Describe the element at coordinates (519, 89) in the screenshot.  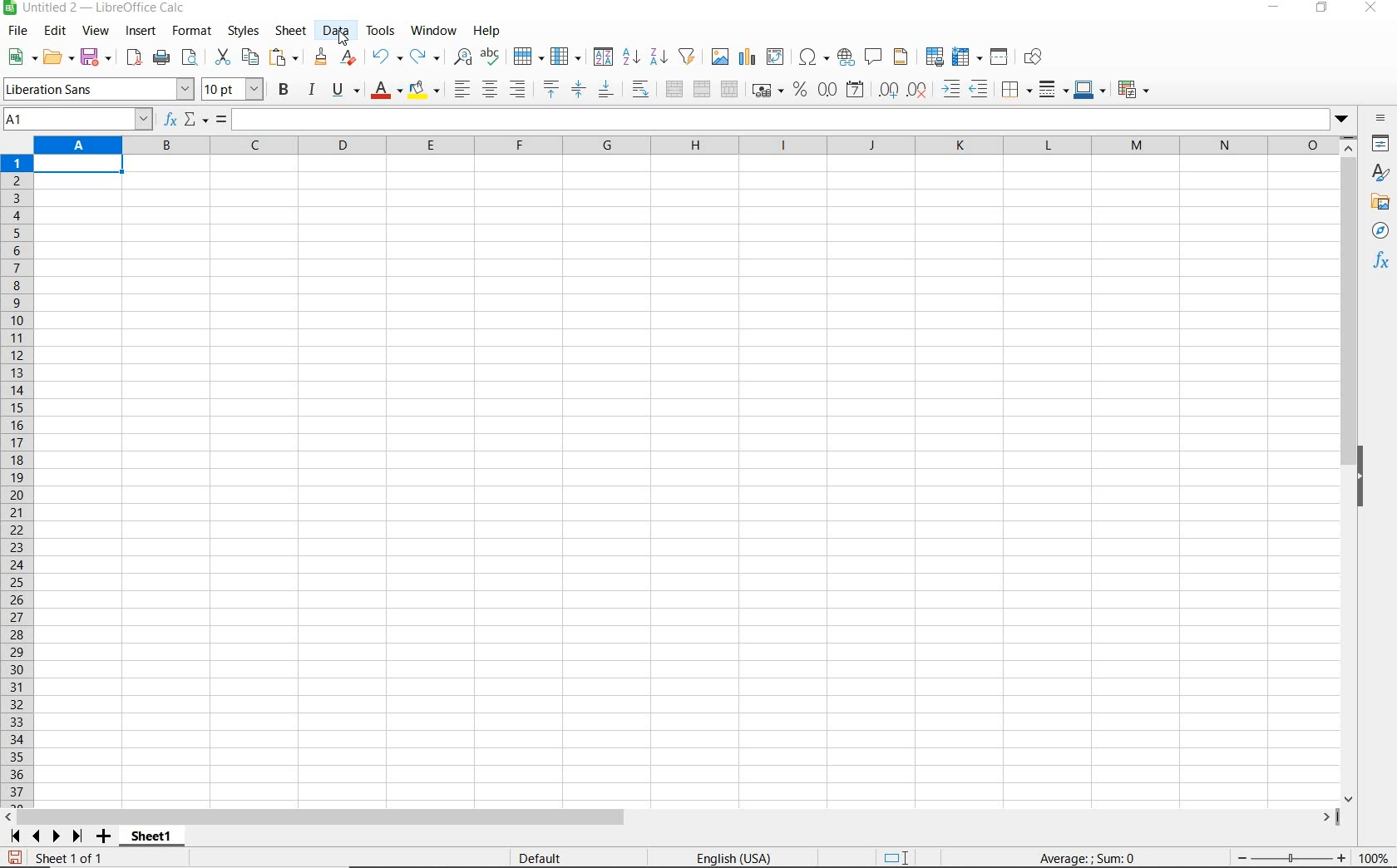
I see `align right` at that location.